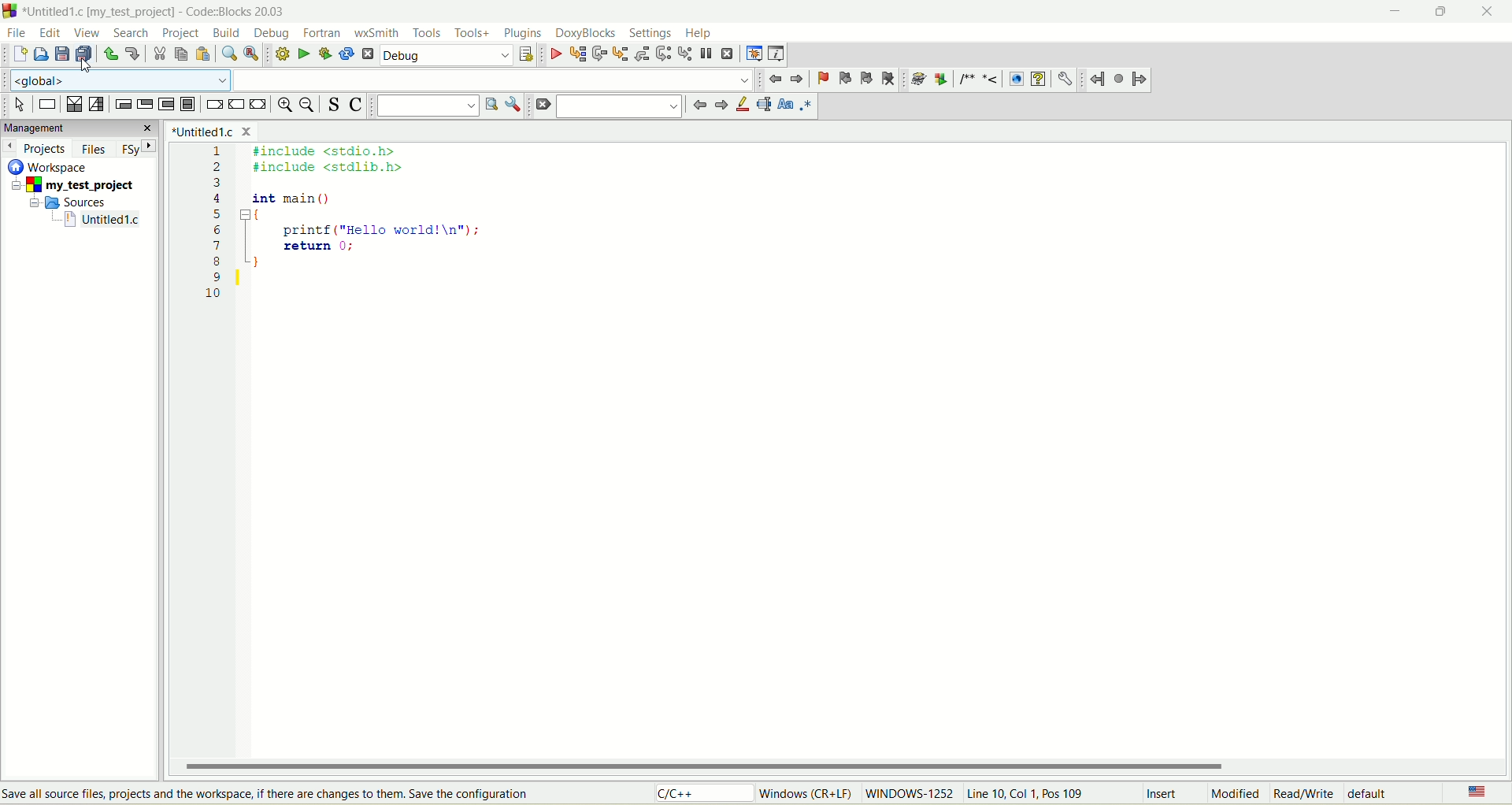 This screenshot has width=1512, height=805. I want to click on back, so click(796, 79).